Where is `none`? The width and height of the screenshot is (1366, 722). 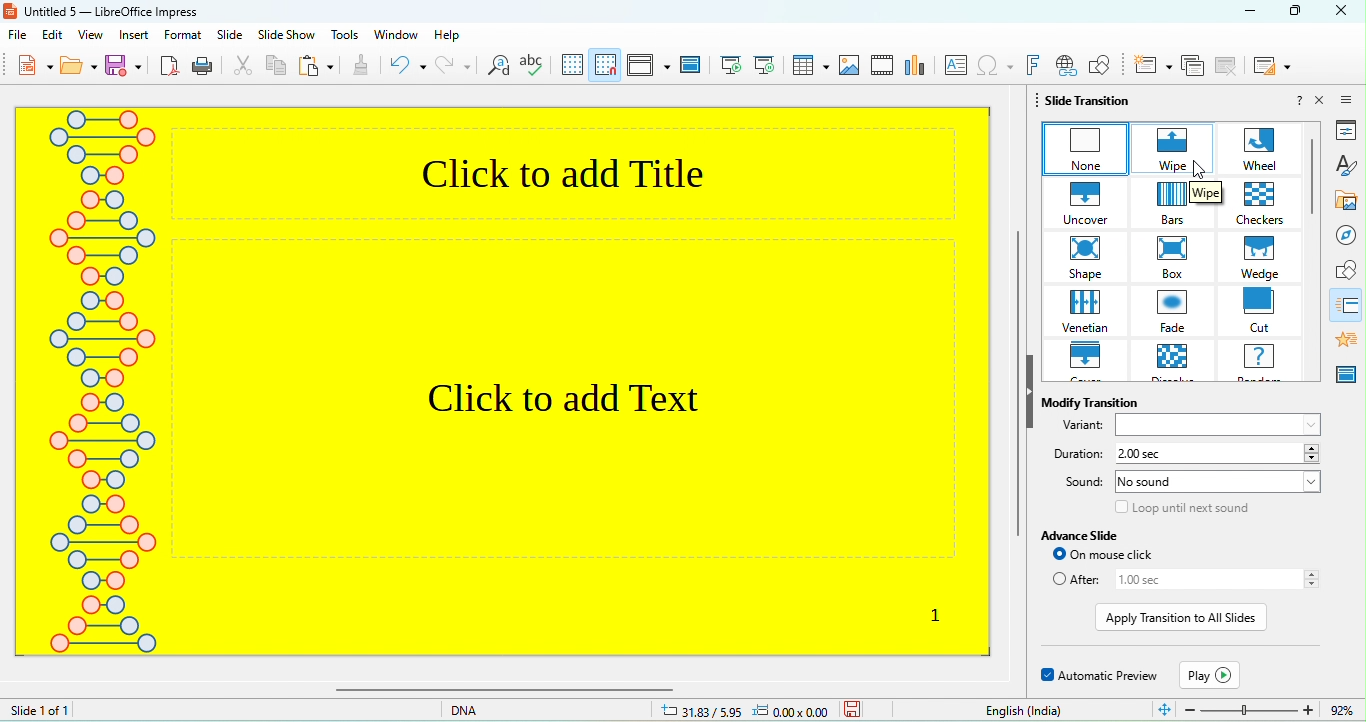 none is located at coordinates (1084, 149).